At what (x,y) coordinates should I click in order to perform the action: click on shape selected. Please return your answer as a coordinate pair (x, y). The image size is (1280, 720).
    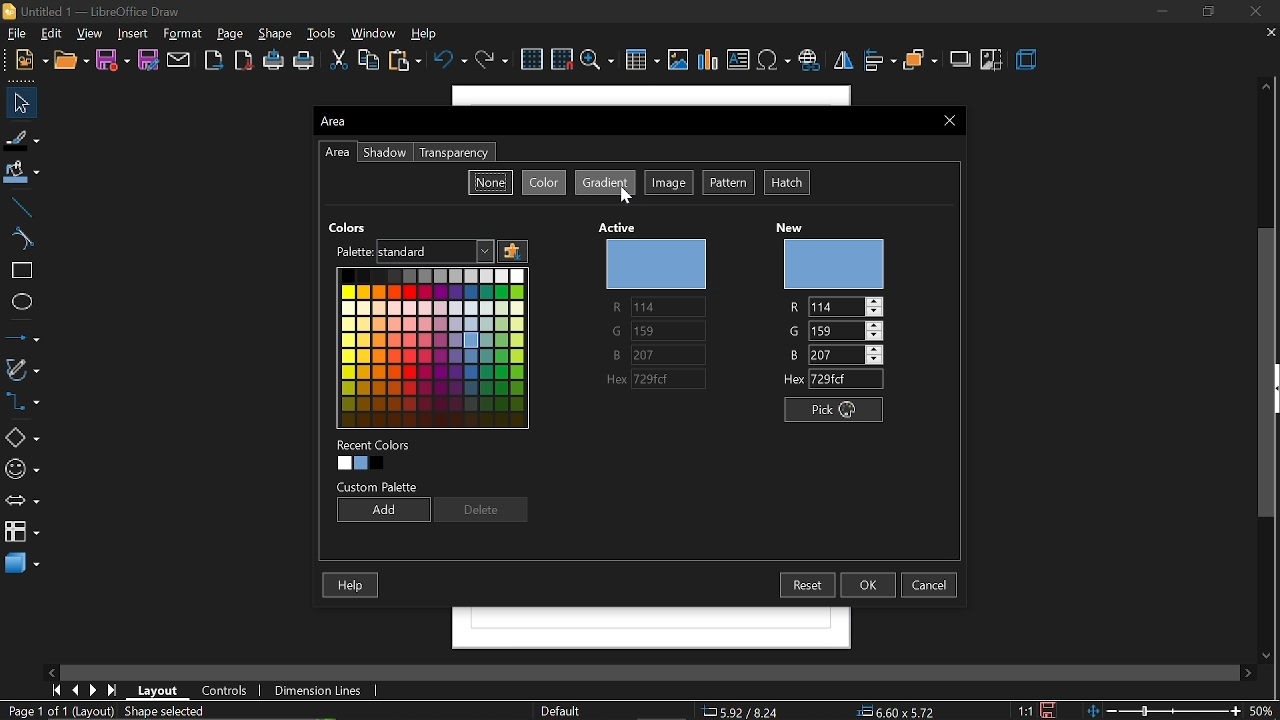
    Looking at the image, I should click on (161, 710).